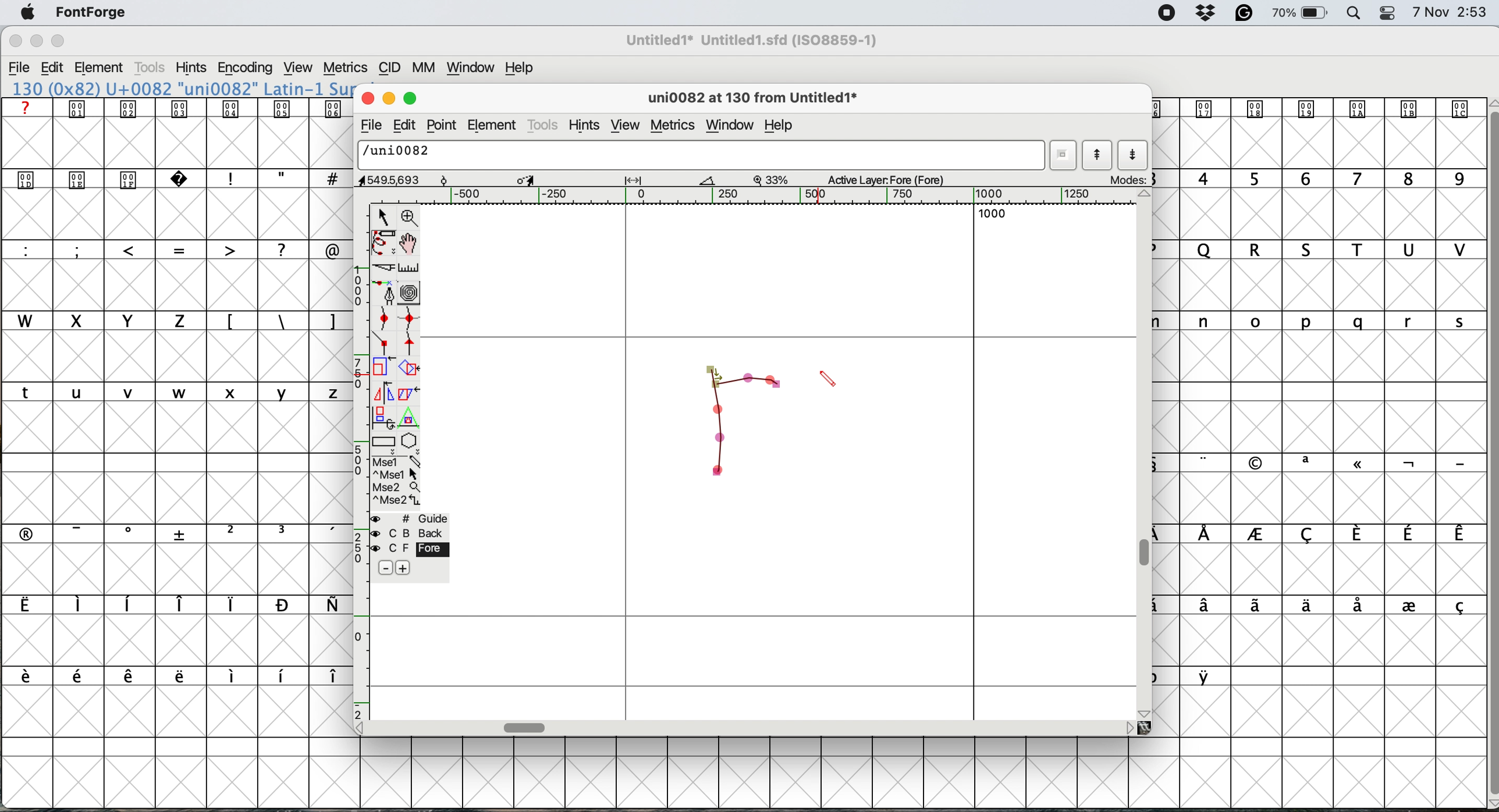  I want to click on system logo, so click(24, 13).